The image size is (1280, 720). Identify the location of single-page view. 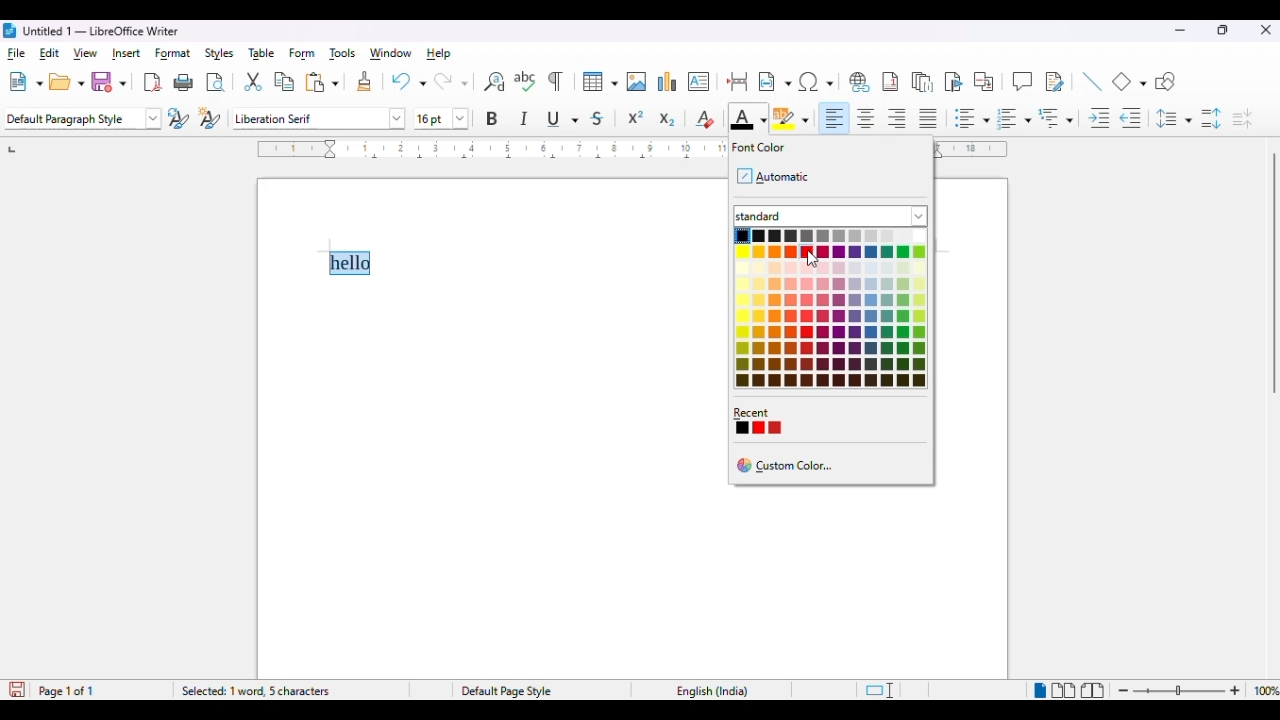
(1038, 691).